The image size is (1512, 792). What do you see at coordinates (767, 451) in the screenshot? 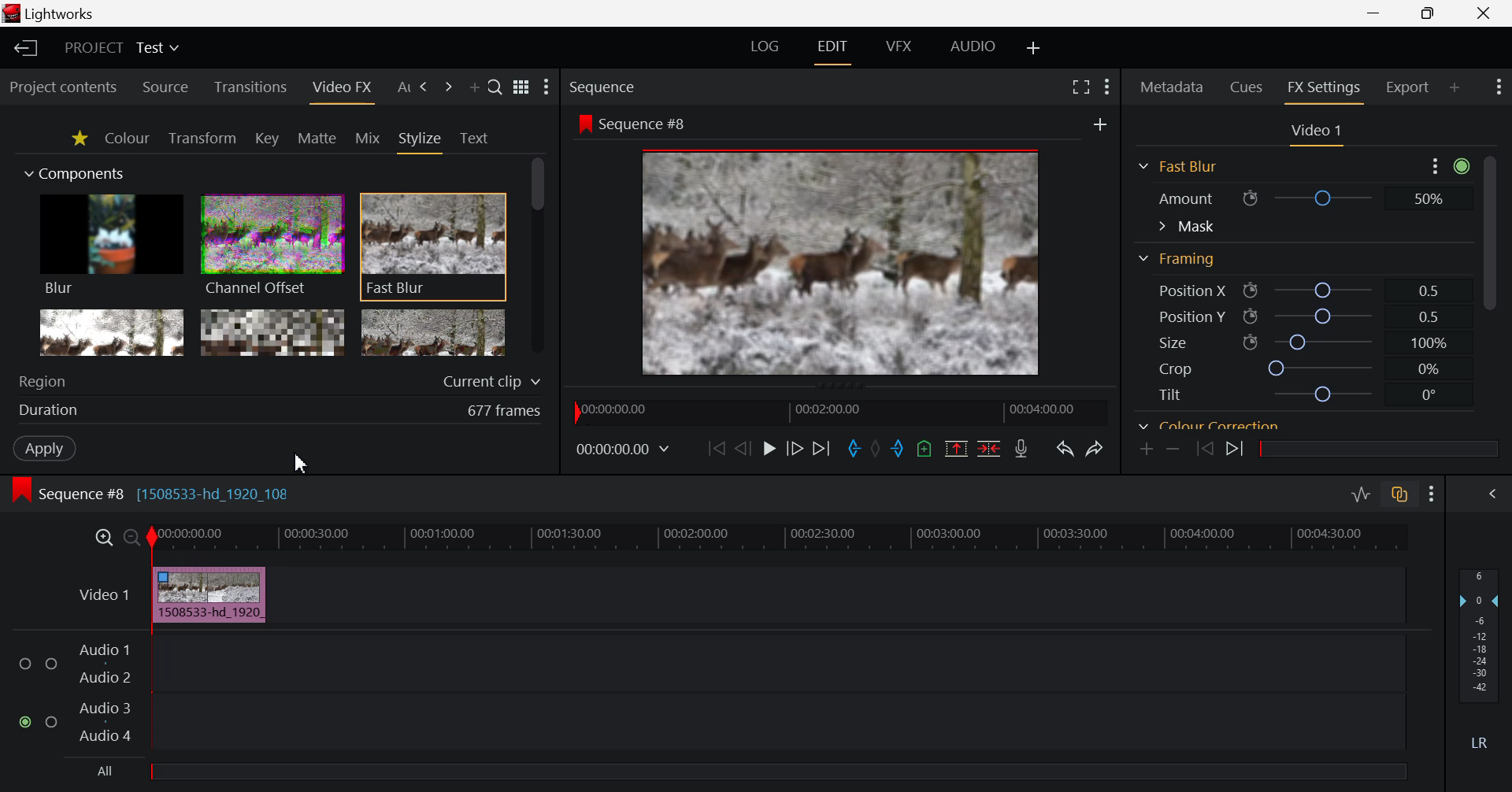
I see `Play` at bounding box center [767, 451].